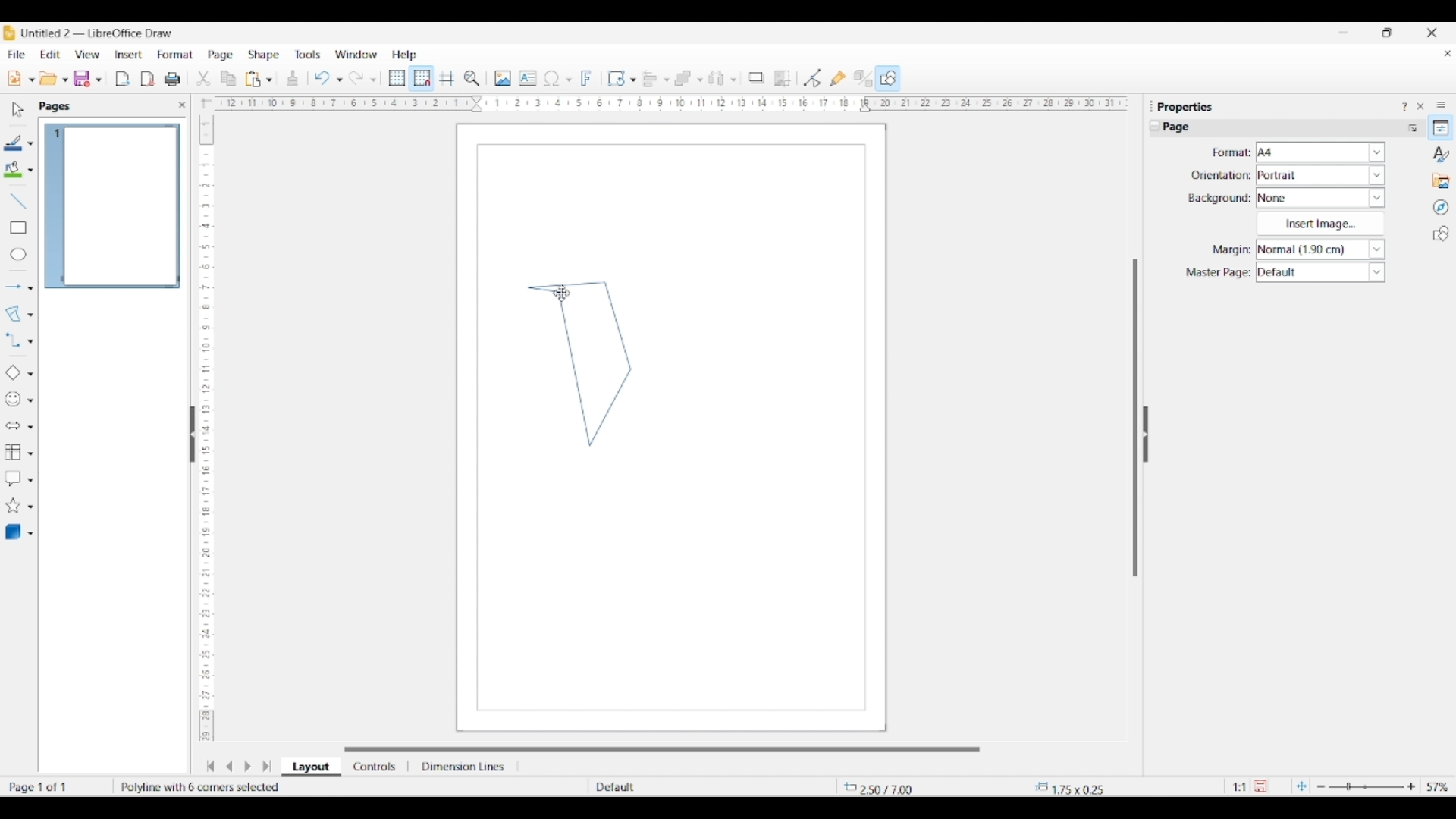 This screenshot has height=819, width=1456. What do you see at coordinates (269, 80) in the screenshot?
I see `Paste options` at bounding box center [269, 80].